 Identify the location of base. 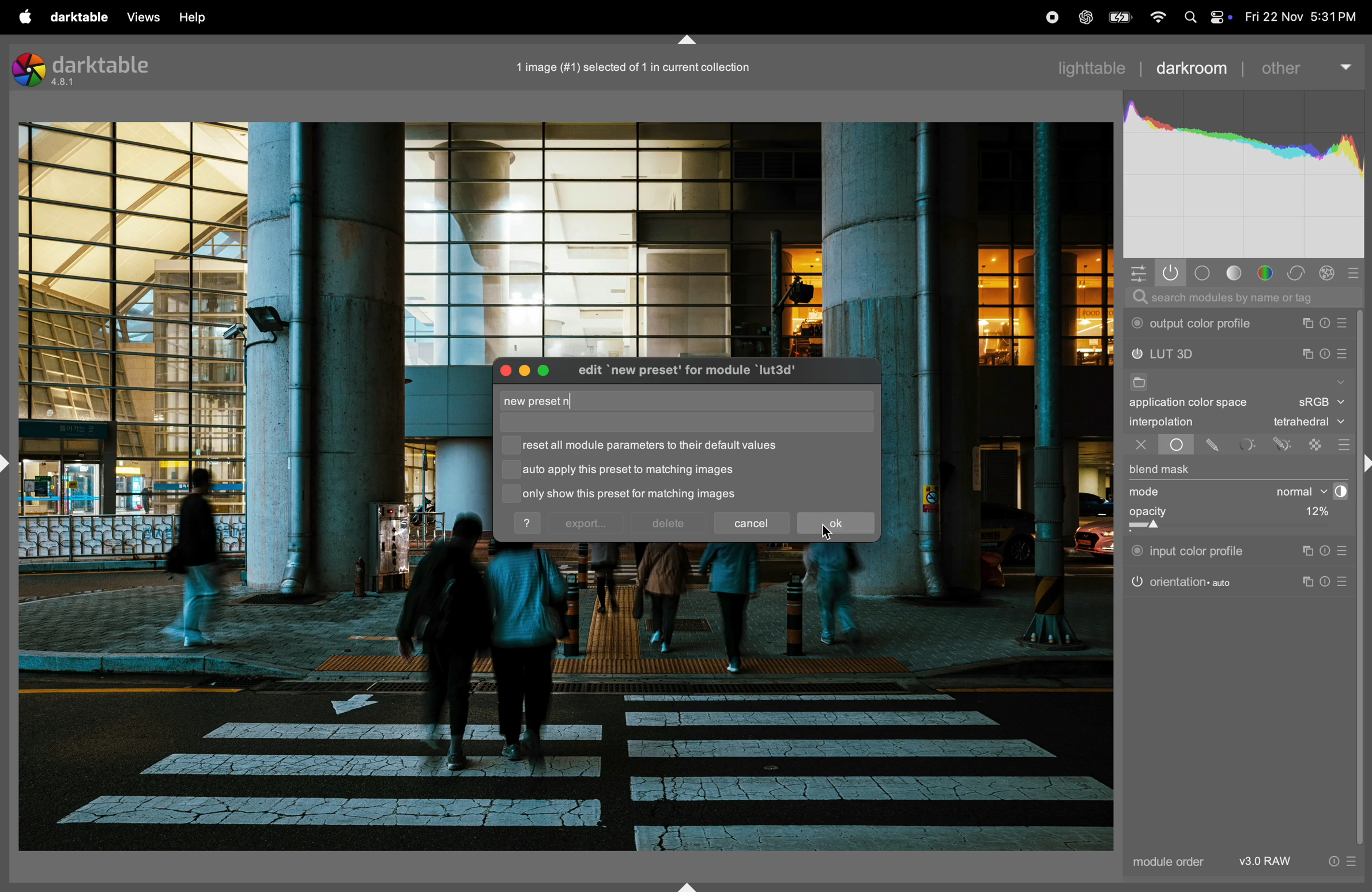
(1203, 273).